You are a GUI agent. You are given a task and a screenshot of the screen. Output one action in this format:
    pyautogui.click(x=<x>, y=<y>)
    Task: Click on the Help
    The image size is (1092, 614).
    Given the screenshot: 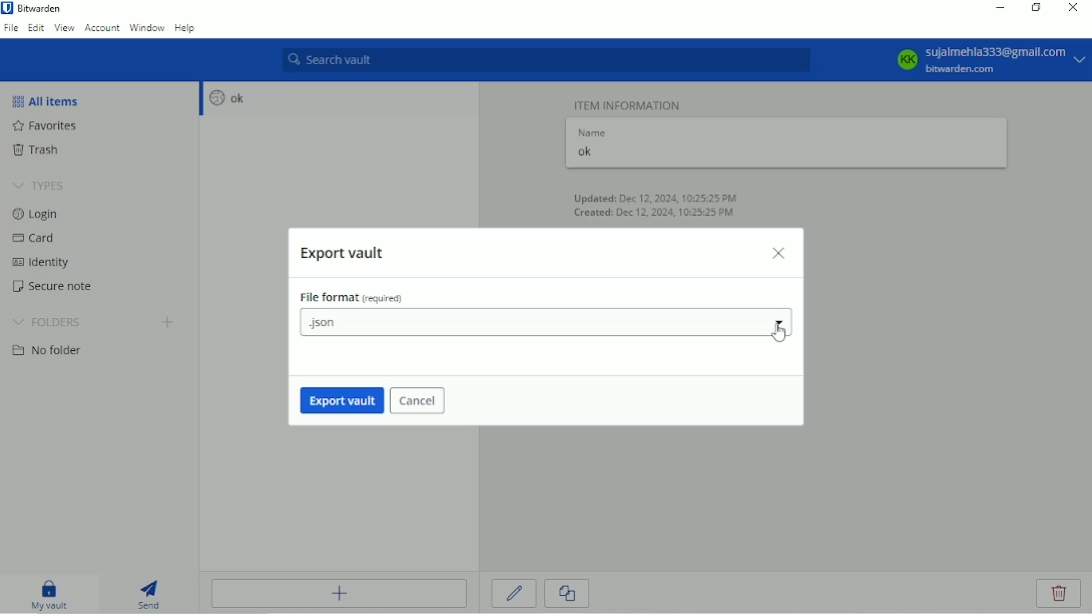 What is the action you would take?
    pyautogui.click(x=186, y=29)
    